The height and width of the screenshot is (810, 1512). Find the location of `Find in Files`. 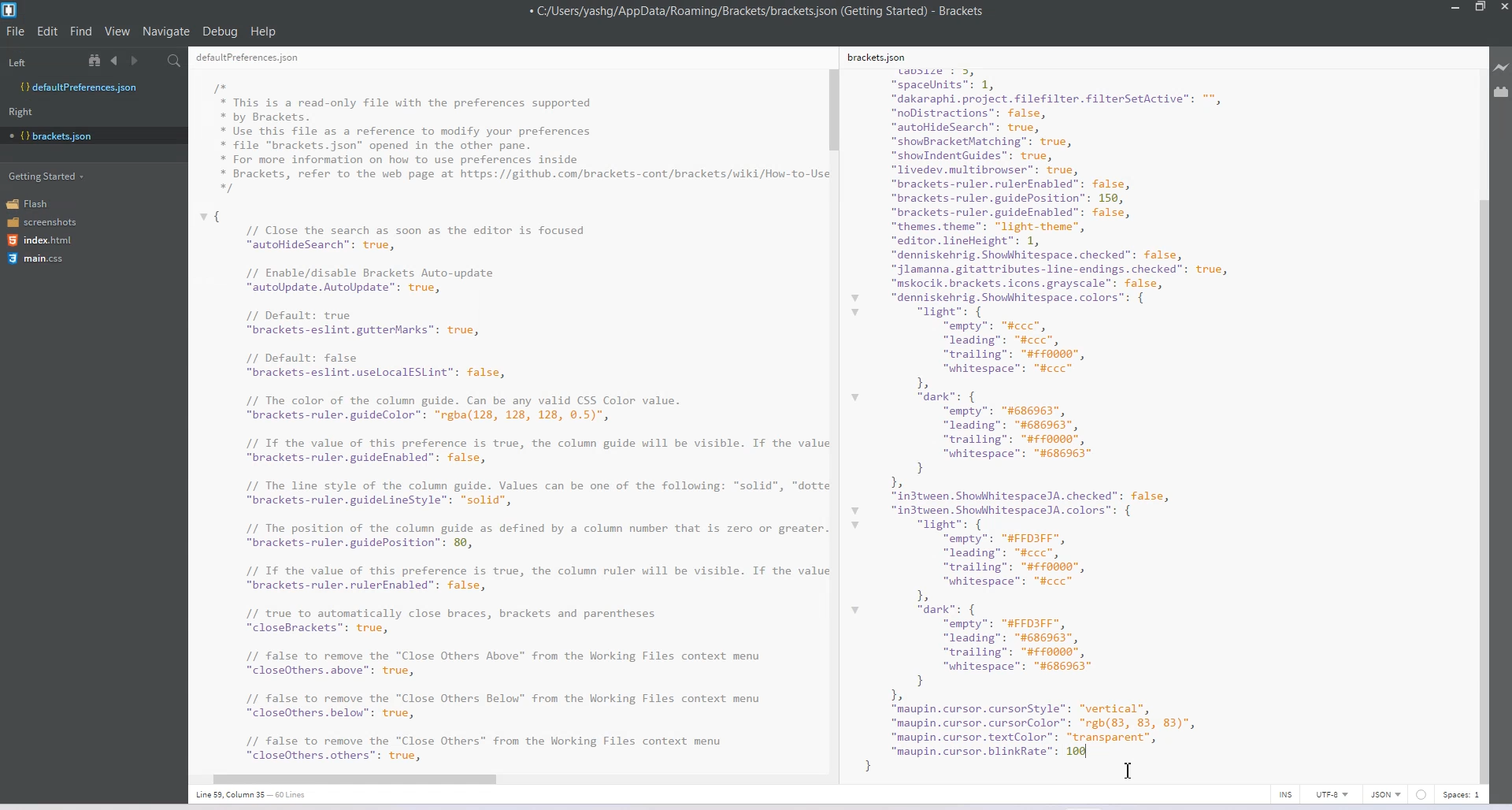

Find in Files is located at coordinates (176, 61).